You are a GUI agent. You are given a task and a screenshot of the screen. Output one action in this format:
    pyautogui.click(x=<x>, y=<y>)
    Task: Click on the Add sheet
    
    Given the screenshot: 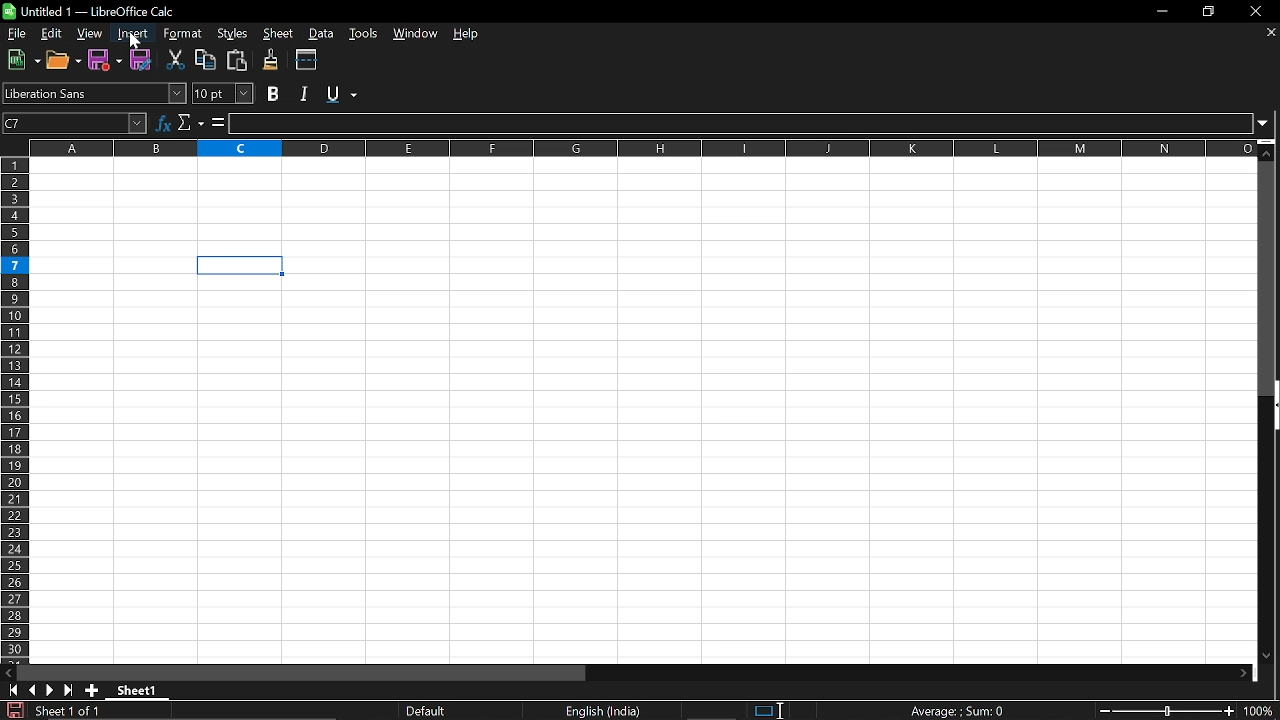 What is the action you would take?
    pyautogui.click(x=91, y=690)
    